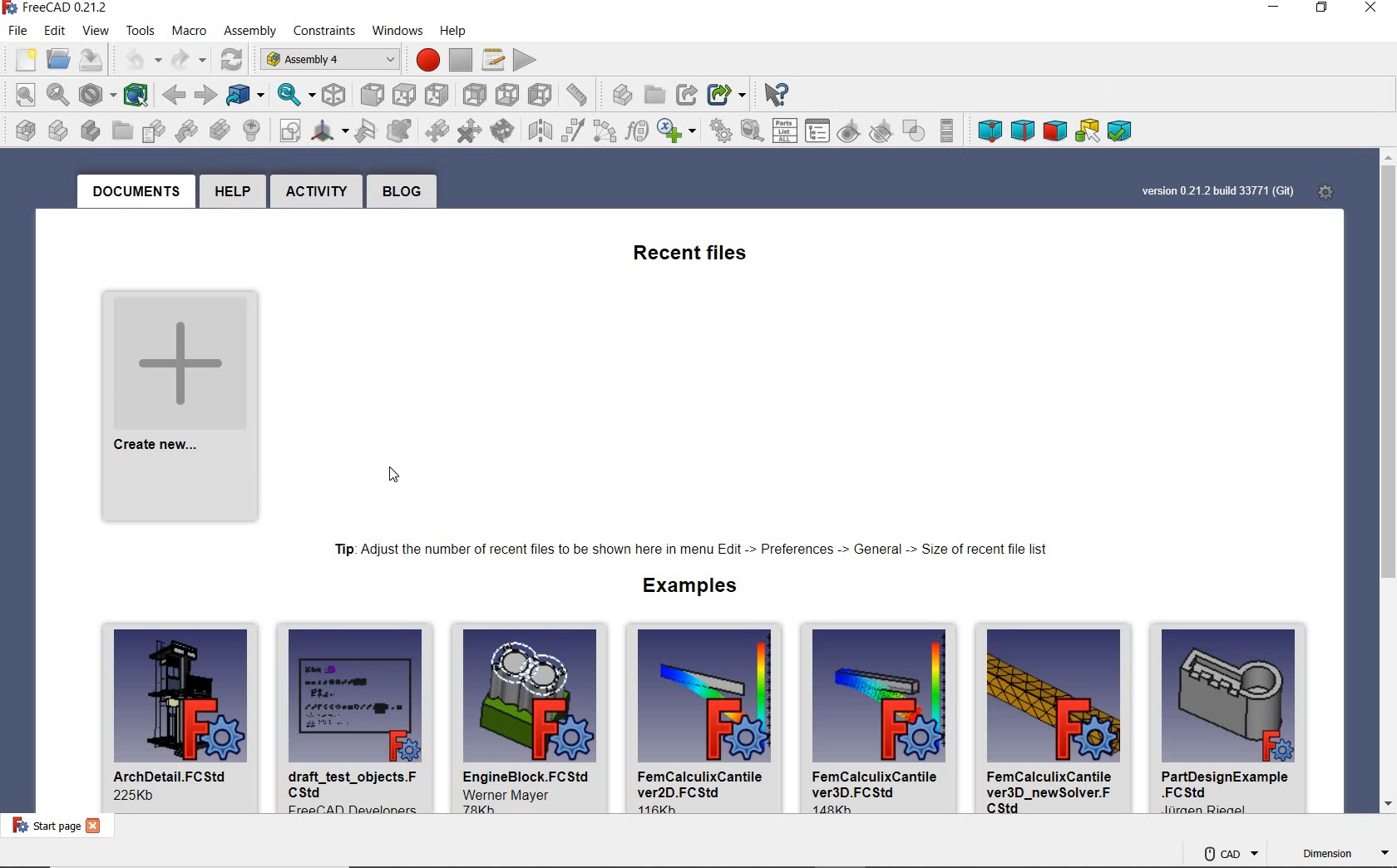 The width and height of the screenshot is (1397, 868). I want to click on constraints, so click(324, 27).